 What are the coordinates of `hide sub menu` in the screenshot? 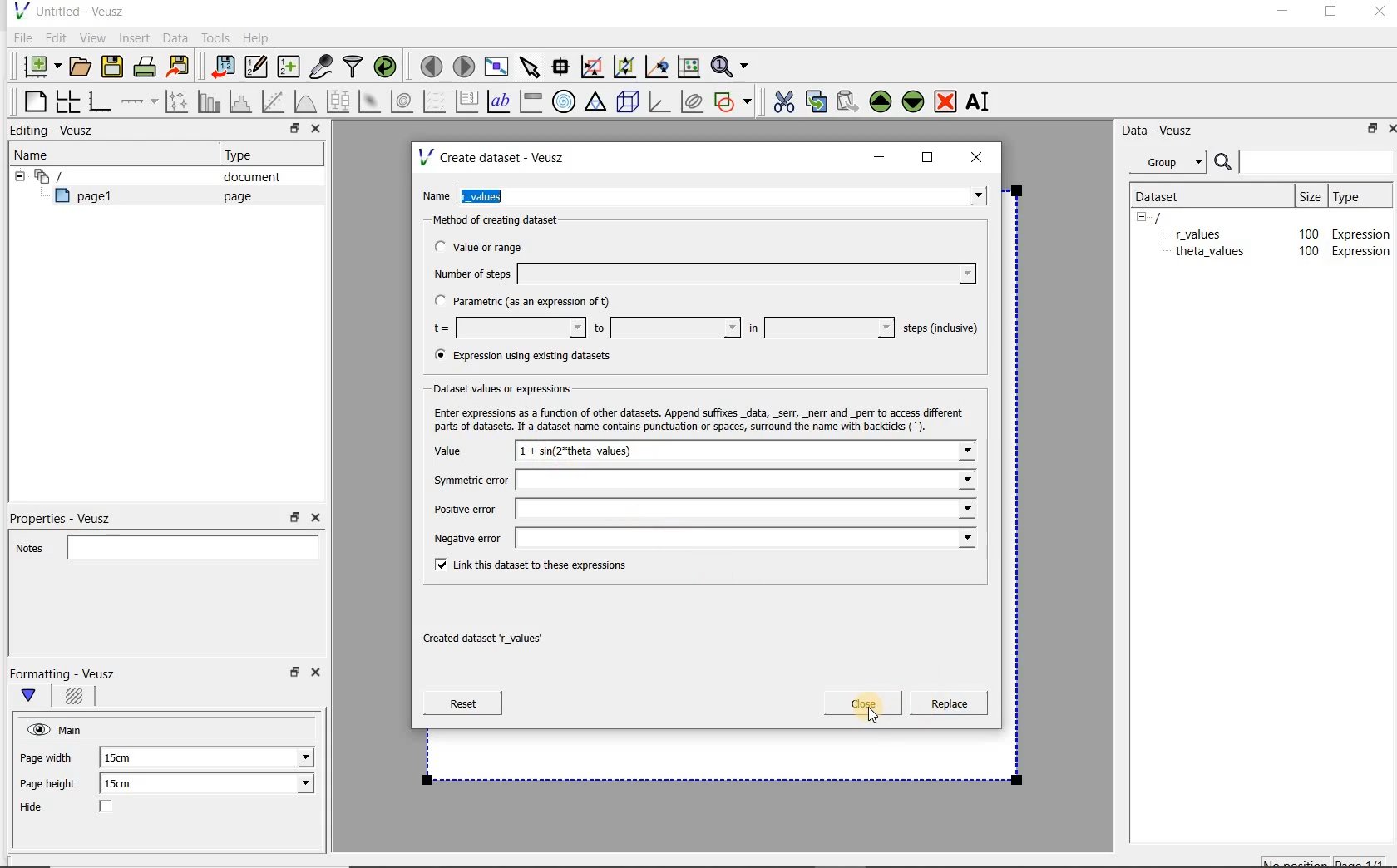 It's located at (1142, 216).